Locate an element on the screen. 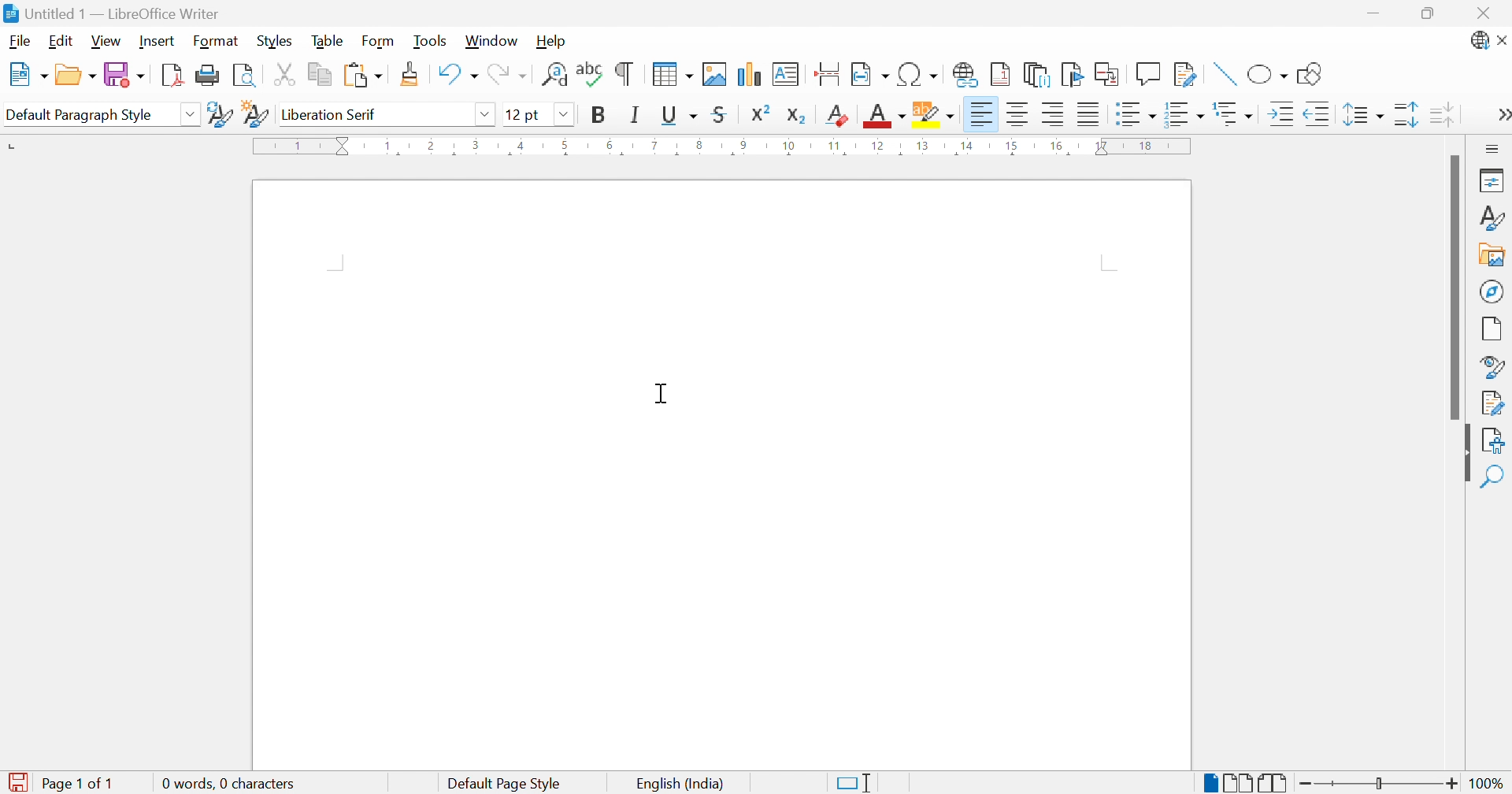 This screenshot has height=794, width=1512. View is located at coordinates (108, 40).